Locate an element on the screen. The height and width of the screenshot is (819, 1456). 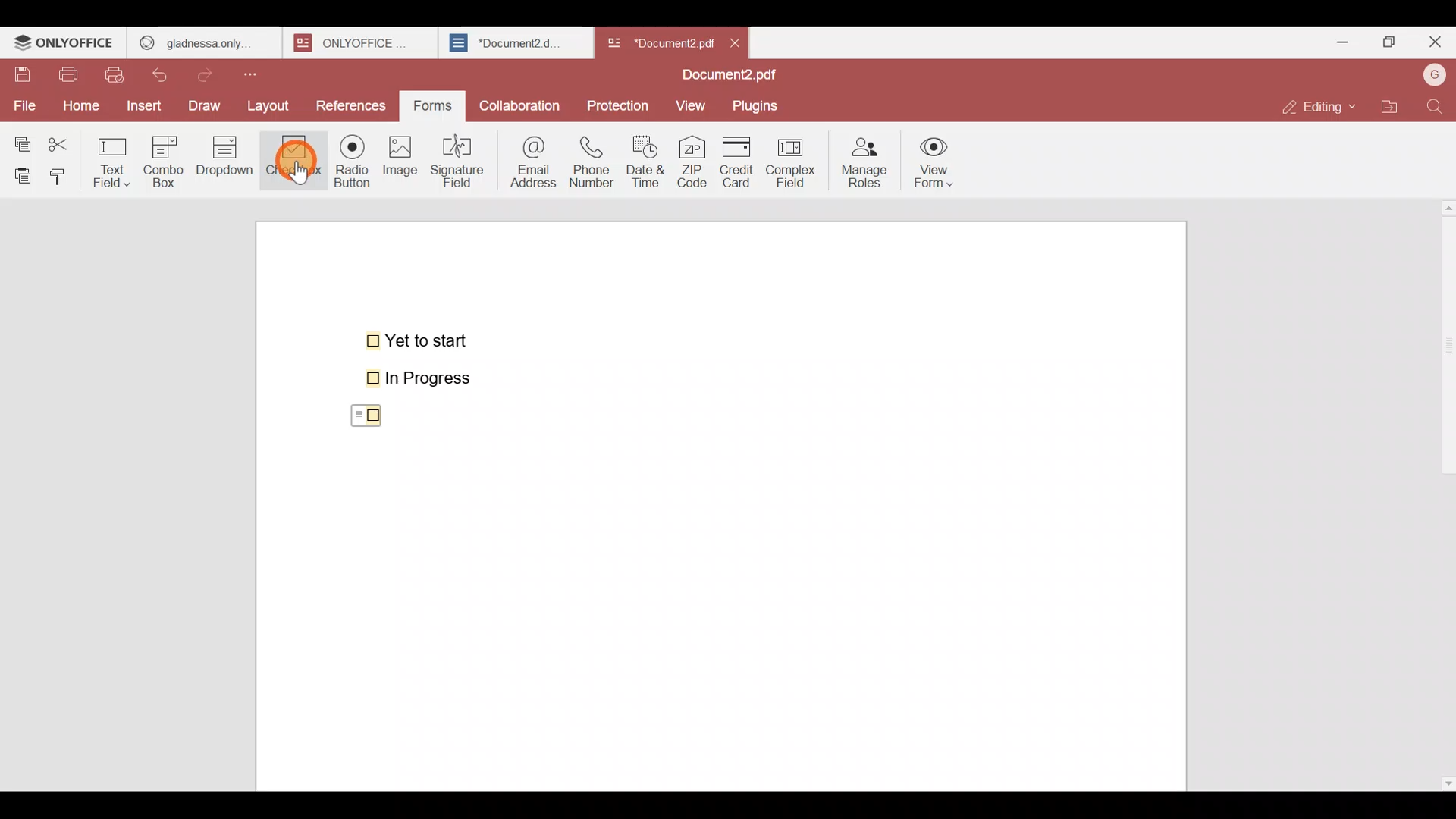
References is located at coordinates (351, 105).